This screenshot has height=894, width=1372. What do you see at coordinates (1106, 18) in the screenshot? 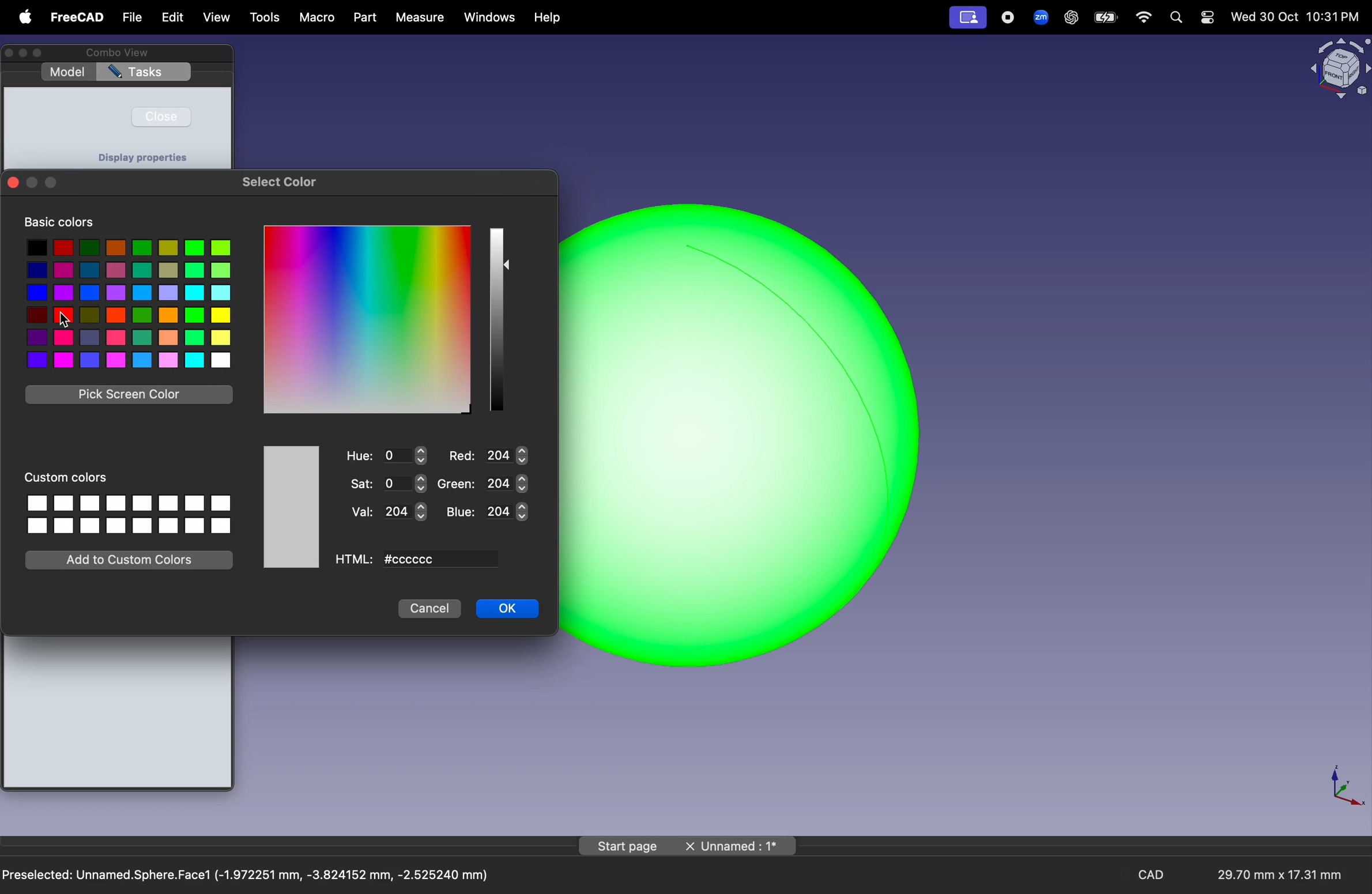
I see `battery` at bounding box center [1106, 18].